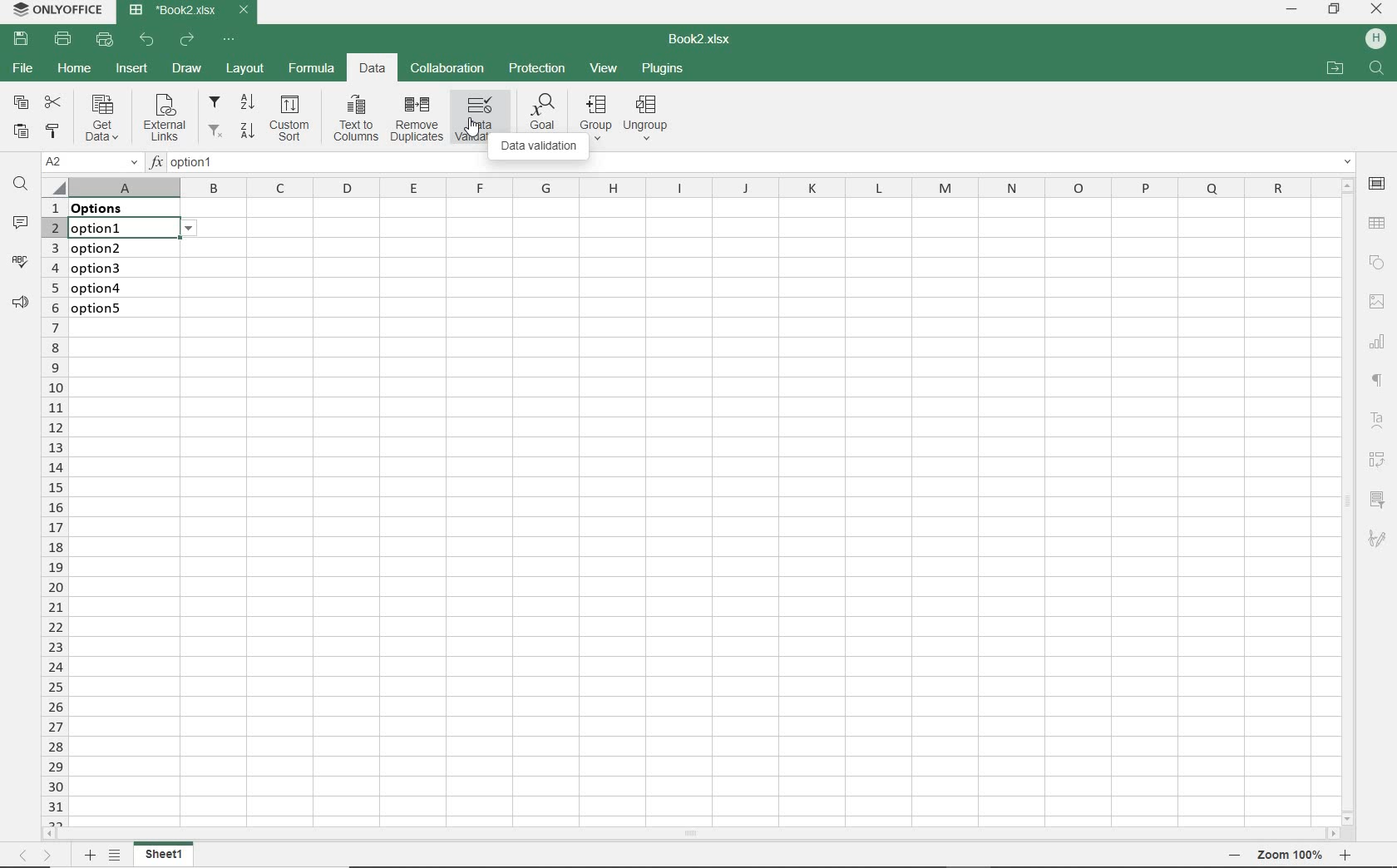 The height and width of the screenshot is (868, 1397). I want to click on IMAGE, so click(1379, 302).